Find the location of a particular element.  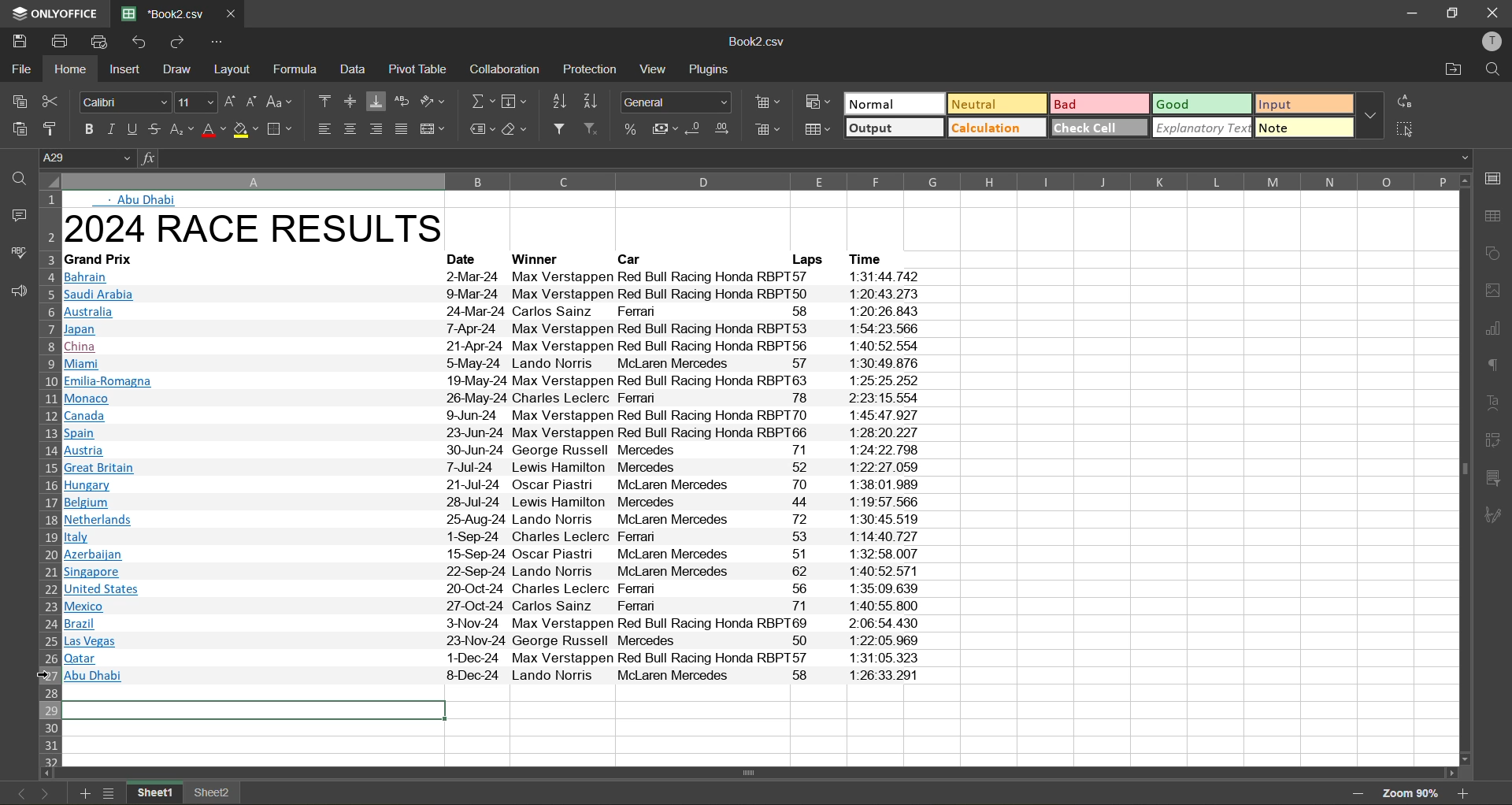

percent is located at coordinates (632, 129).